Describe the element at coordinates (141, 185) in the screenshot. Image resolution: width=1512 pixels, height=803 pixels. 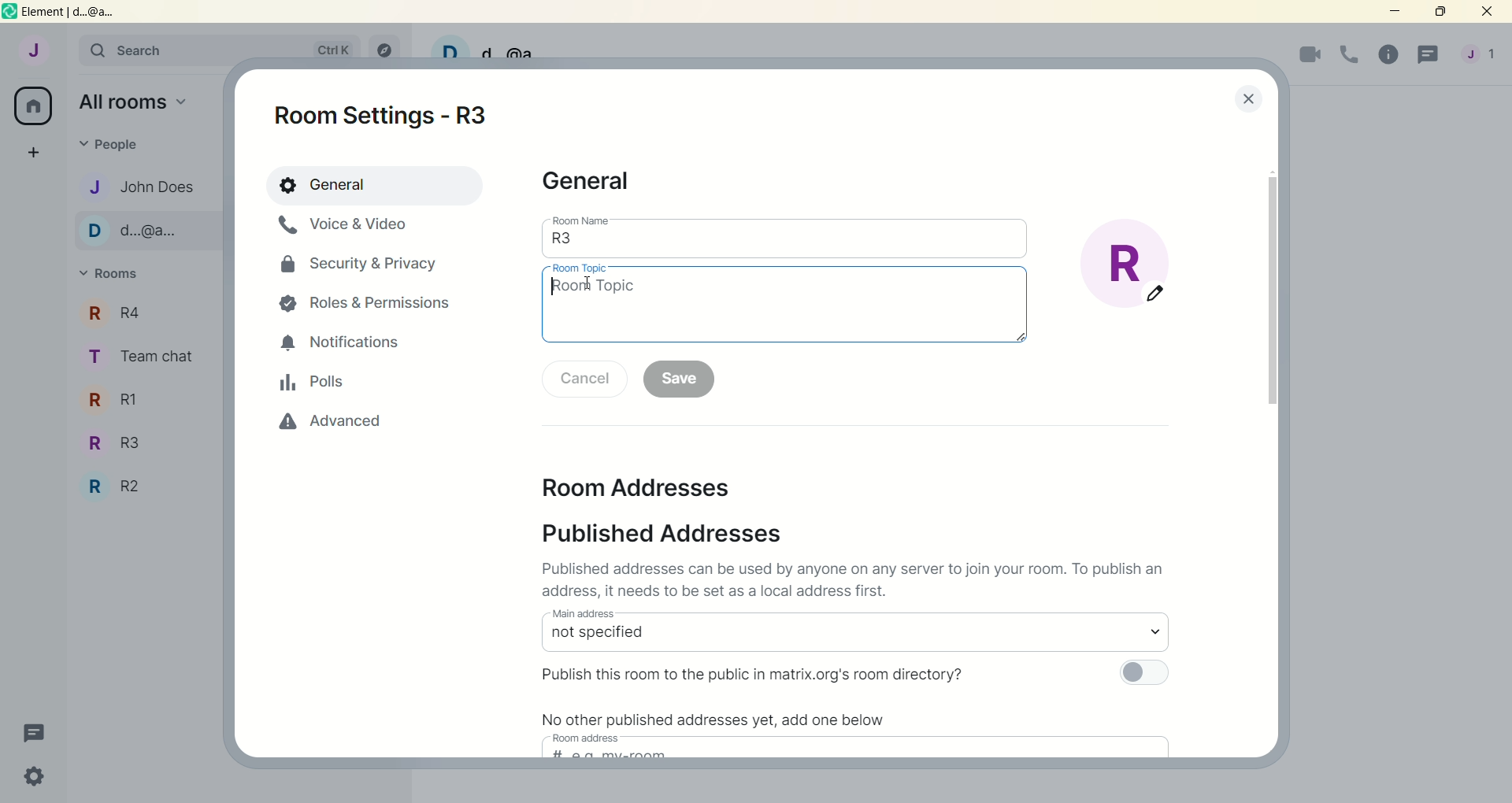
I see `john does` at that location.